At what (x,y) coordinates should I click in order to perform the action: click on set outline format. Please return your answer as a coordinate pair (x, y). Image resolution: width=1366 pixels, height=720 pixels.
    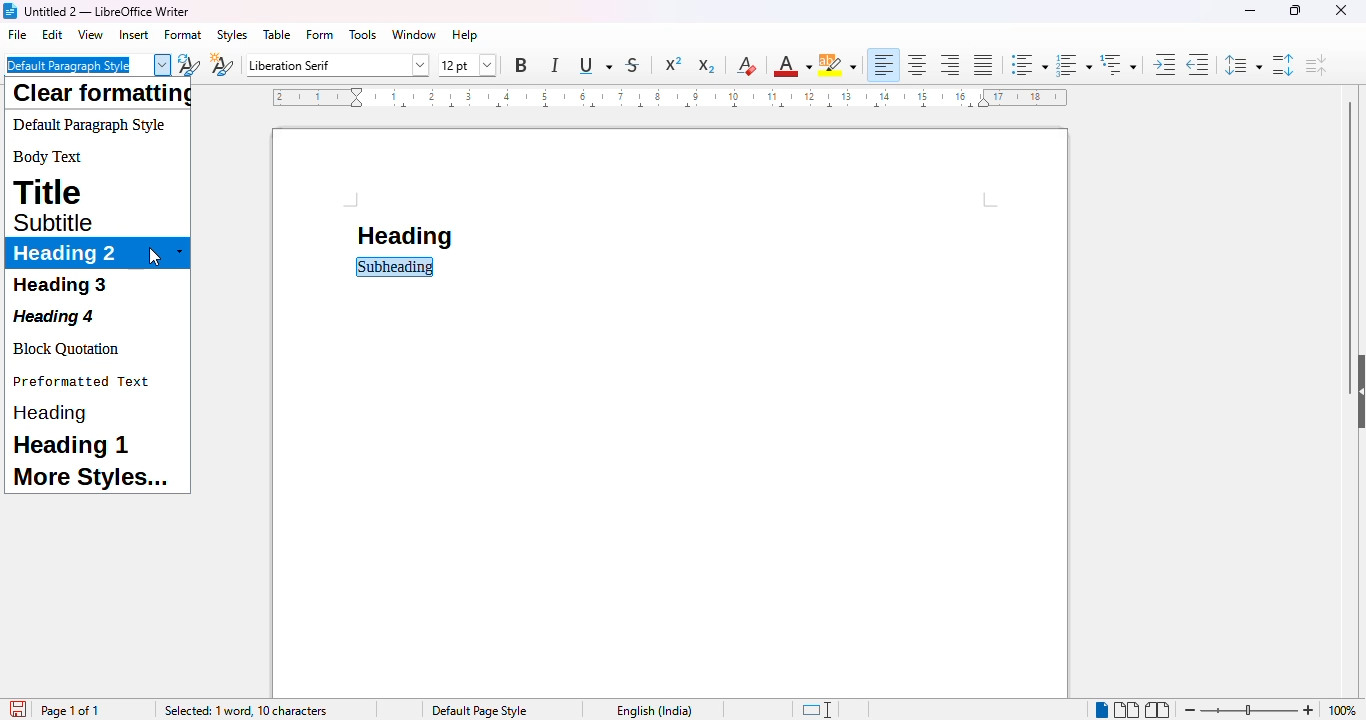
    Looking at the image, I should click on (1118, 64).